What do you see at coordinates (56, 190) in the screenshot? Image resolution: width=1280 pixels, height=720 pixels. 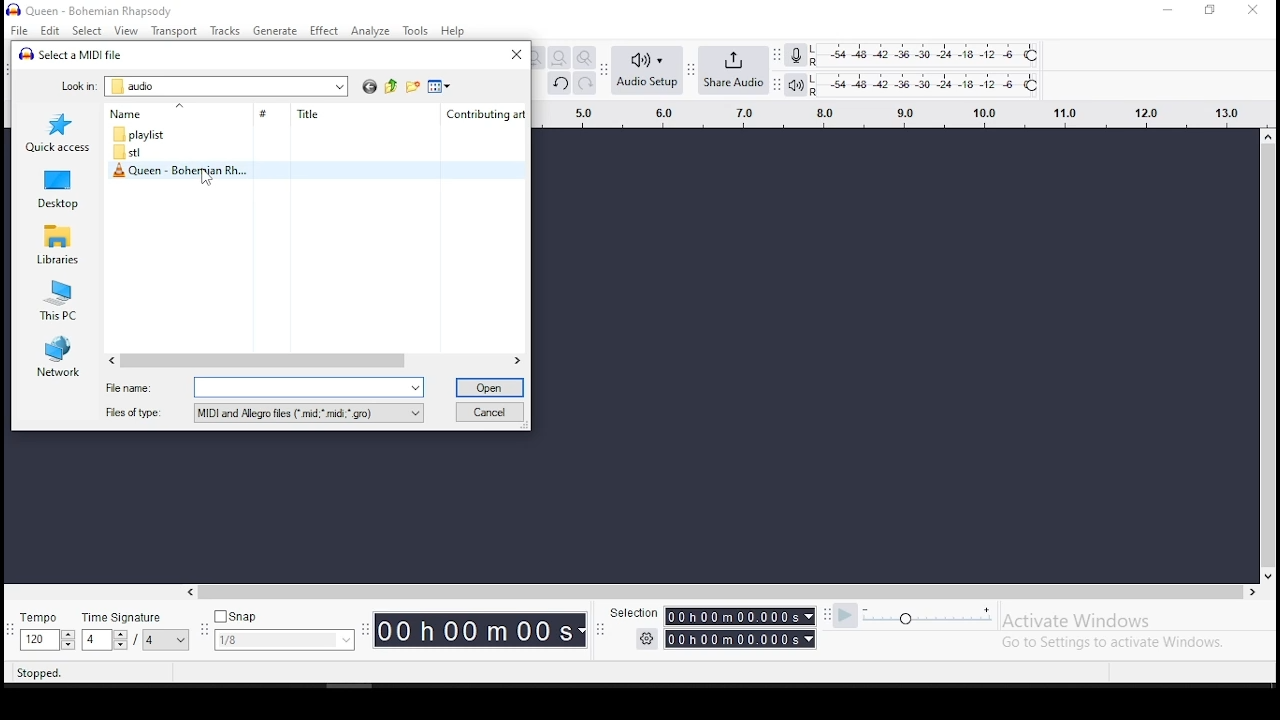 I see `desktop` at bounding box center [56, 190].